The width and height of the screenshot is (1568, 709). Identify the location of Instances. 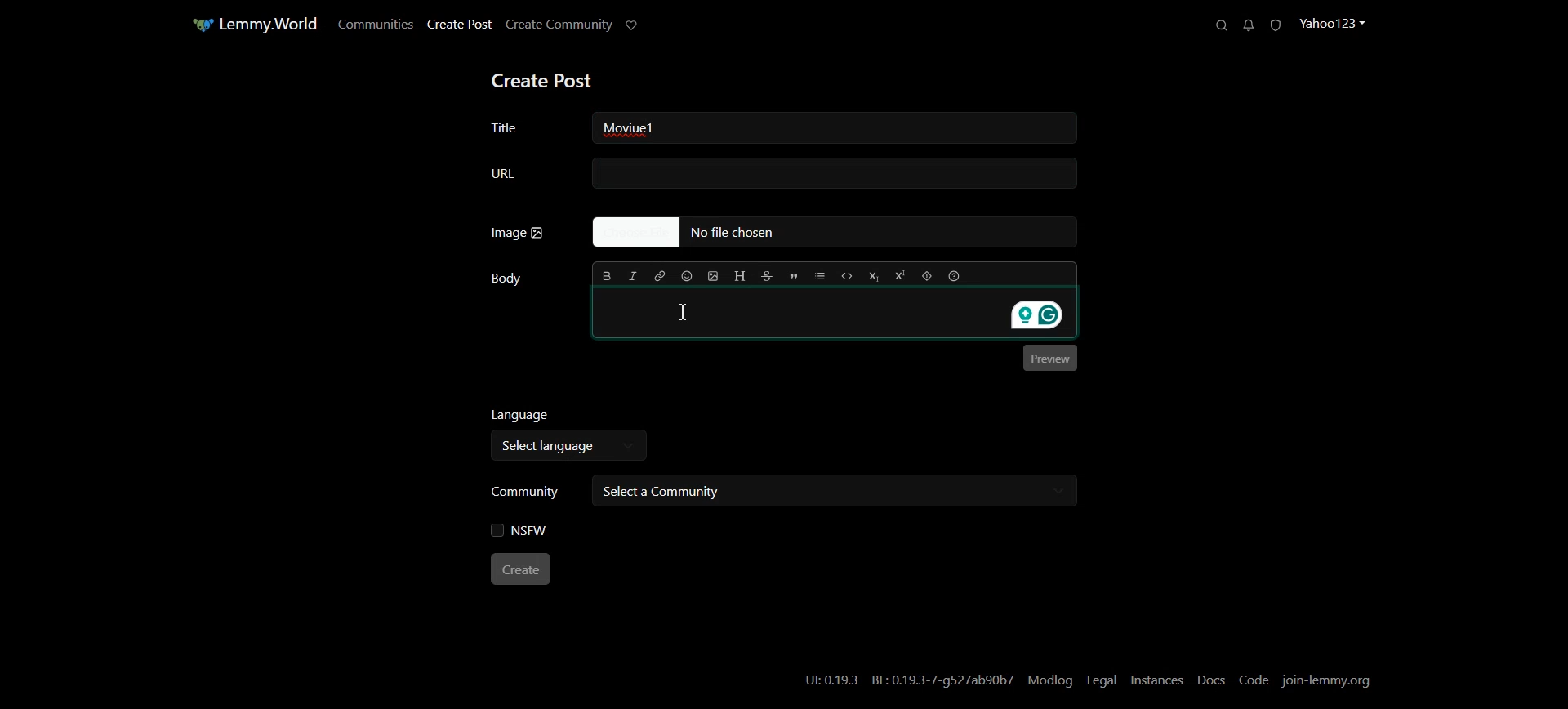
(1157, 680).